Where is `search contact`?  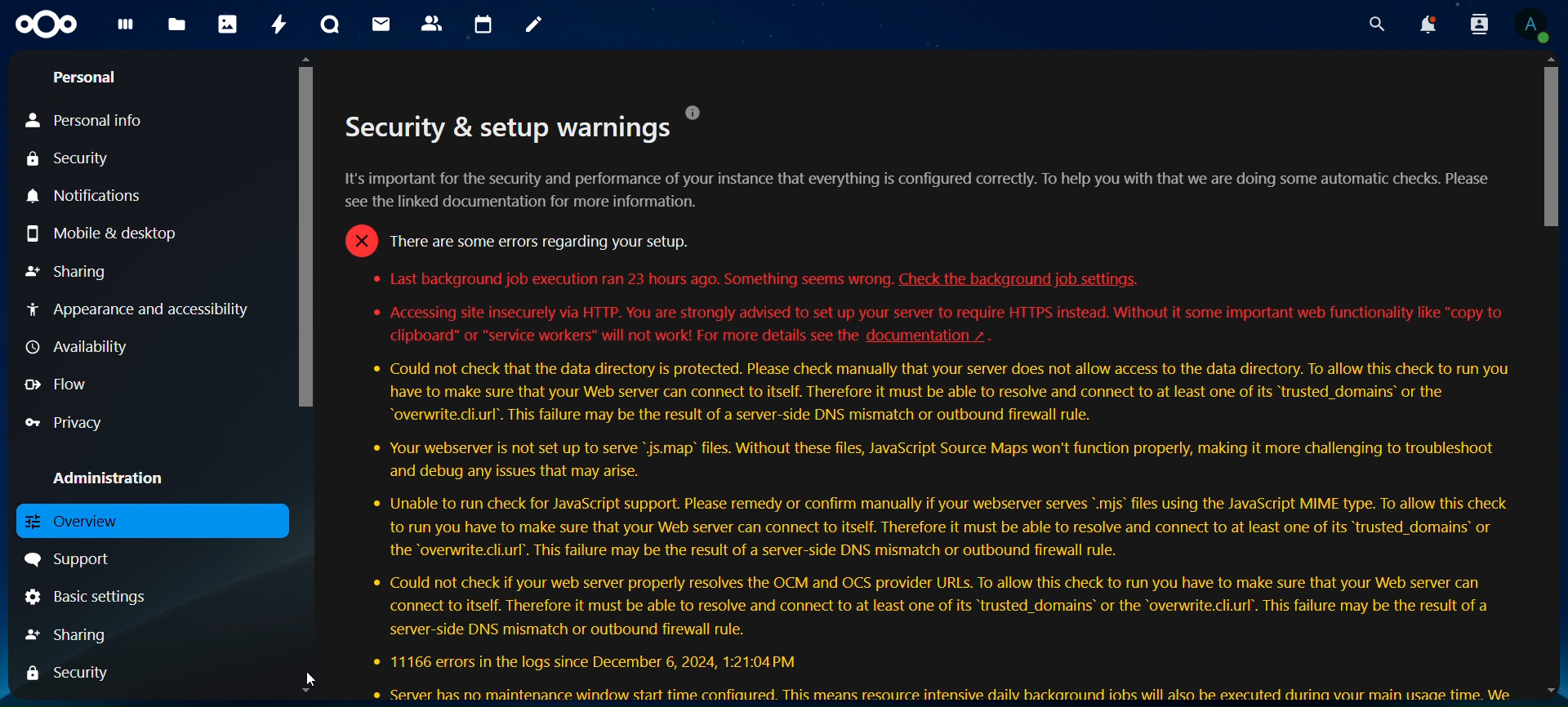
search contact is located at coordinates (1477, 23).